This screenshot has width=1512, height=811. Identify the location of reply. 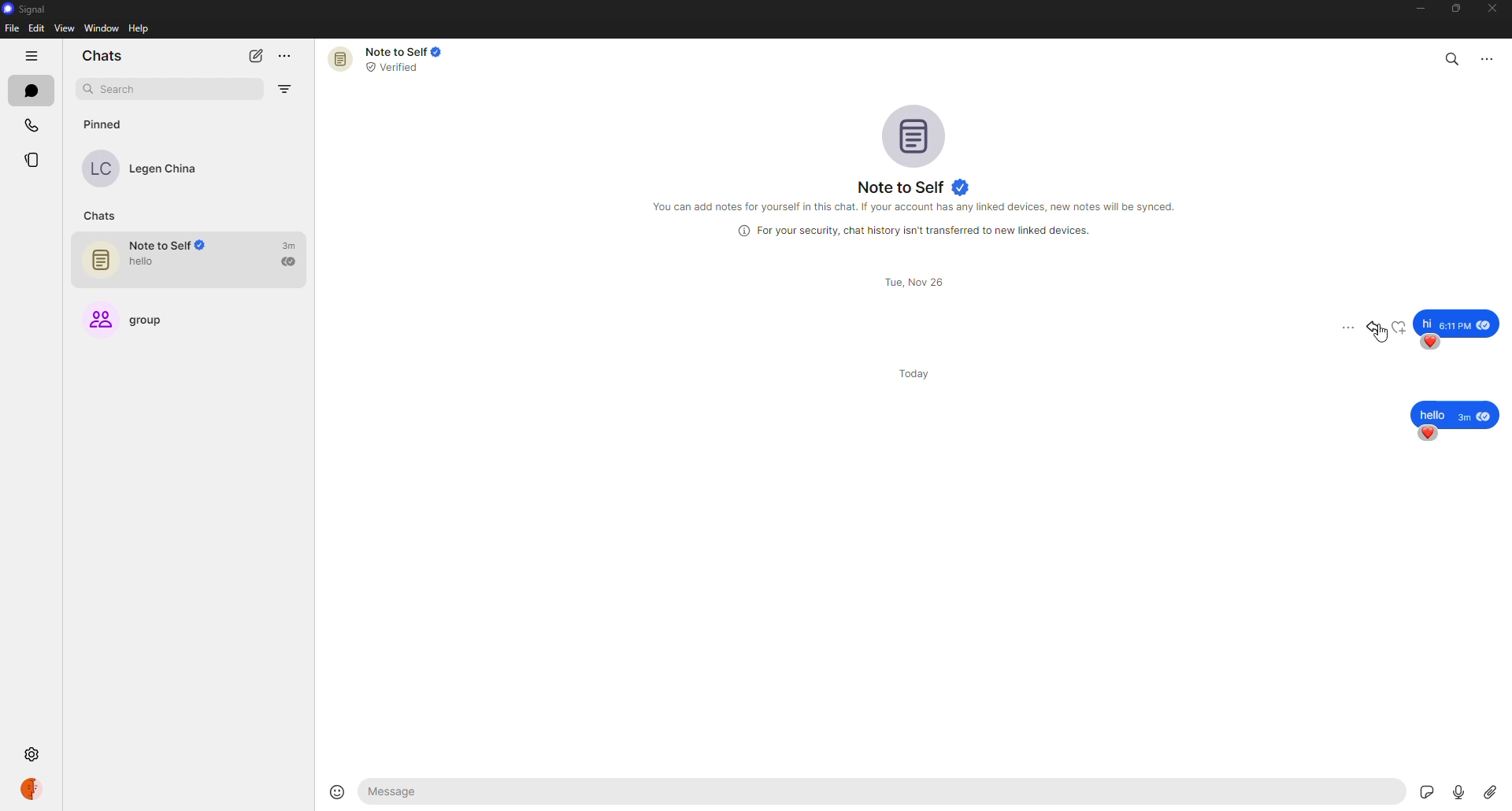
(1374, 328).